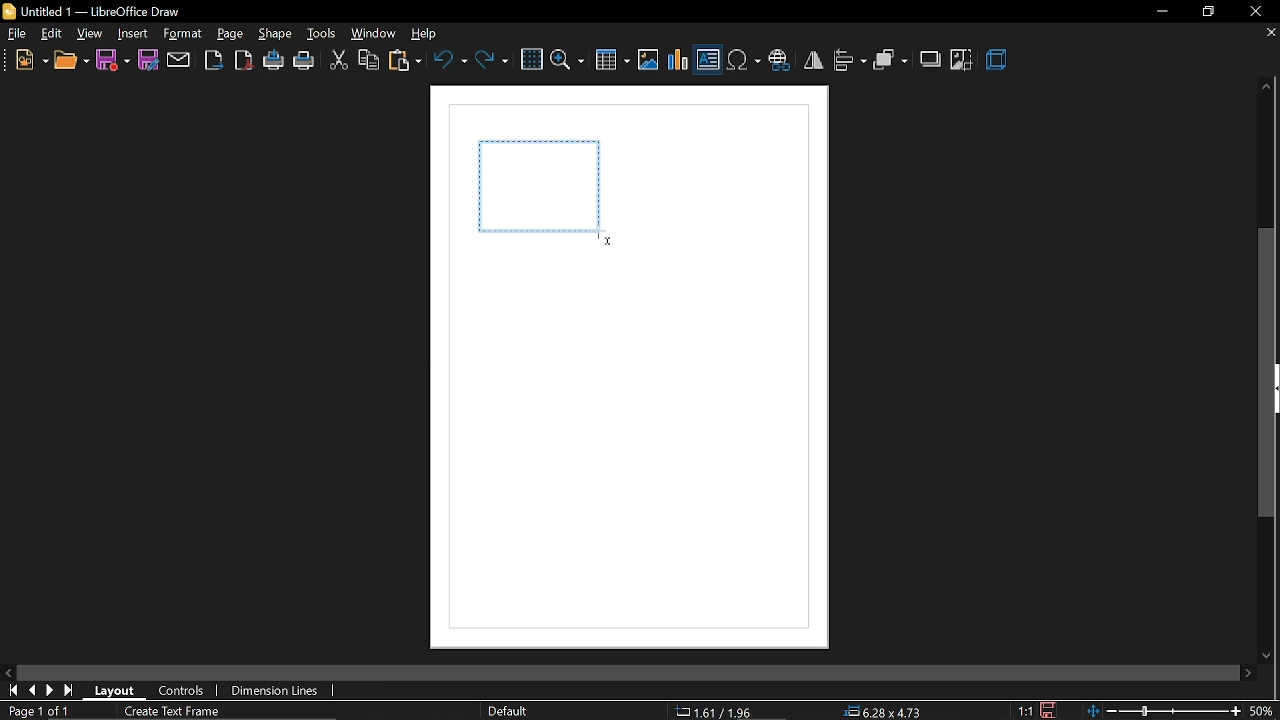 The height and width of the screenshot is (720, 1280). I want to click on restore down, so click(1208, 11).